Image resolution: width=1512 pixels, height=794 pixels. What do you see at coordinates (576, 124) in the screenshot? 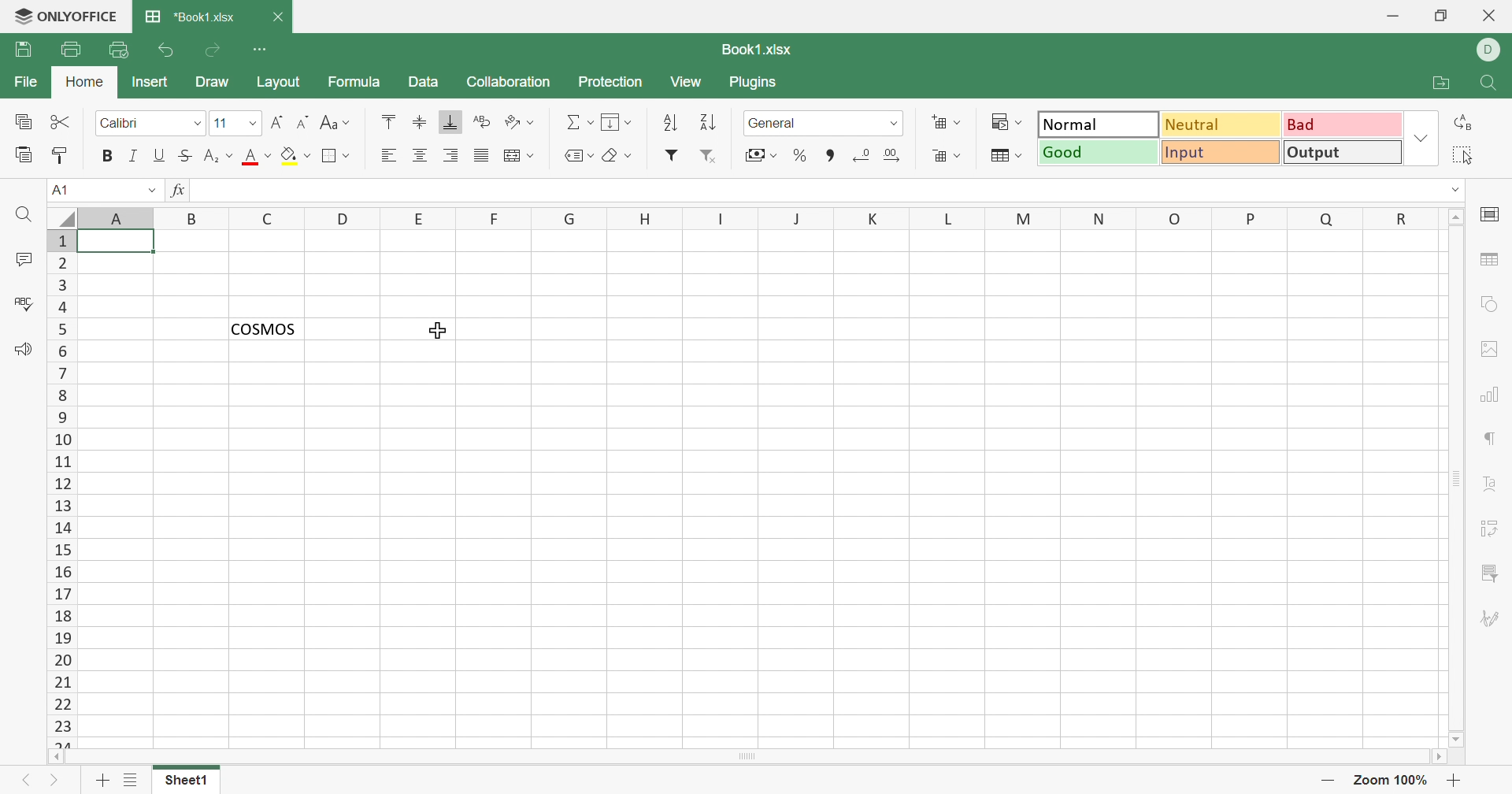
I see `Summation` at bounding box center [576, 124].